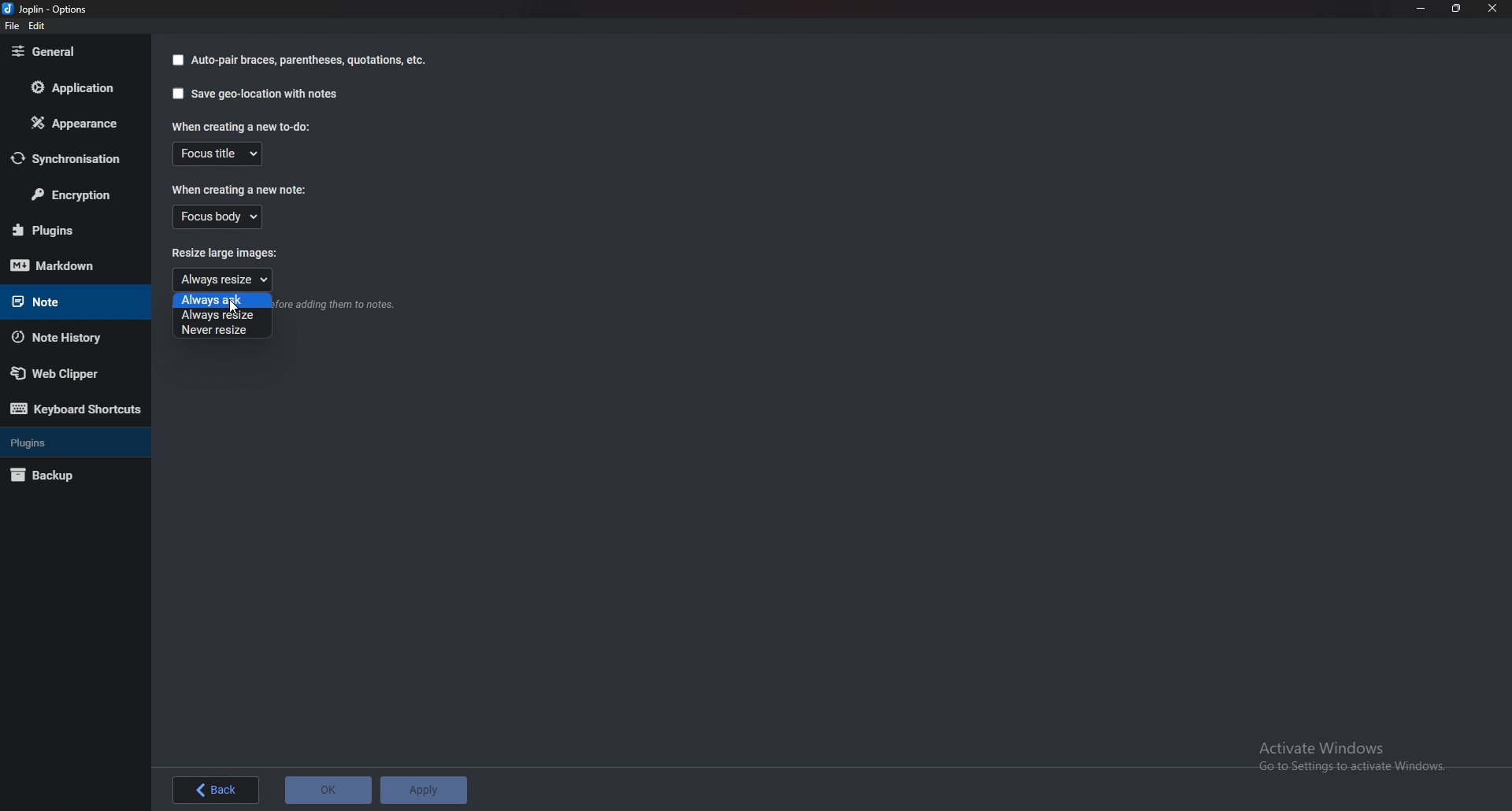  Describe the element at coordinates (1458, 9) in the screenshot. I see `Resize` at that location.